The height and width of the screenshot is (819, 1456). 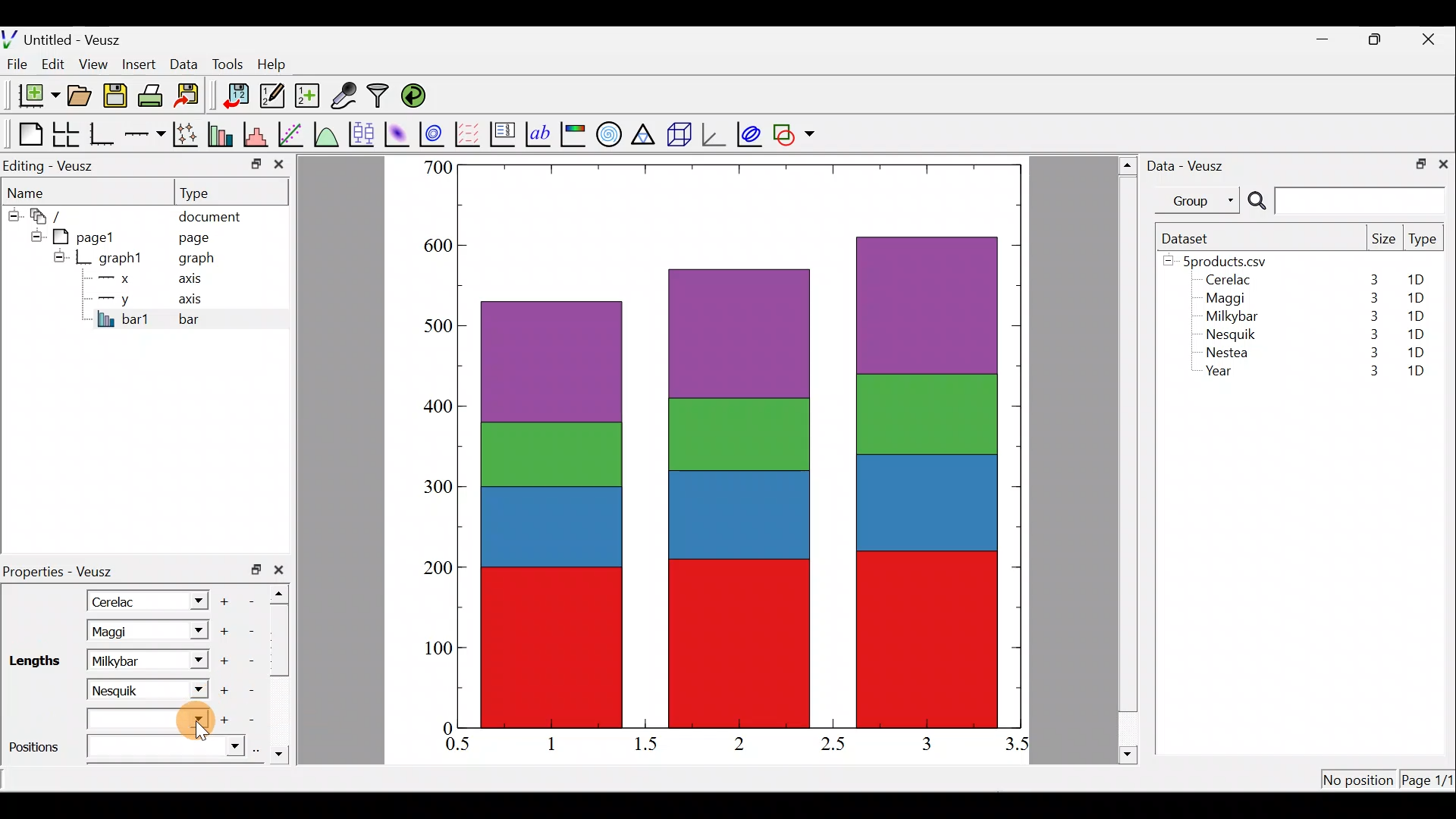 What do you see at coordinates (1222, 375) in the screenshot?
I see `Year` at bounding box center [1222, 375].